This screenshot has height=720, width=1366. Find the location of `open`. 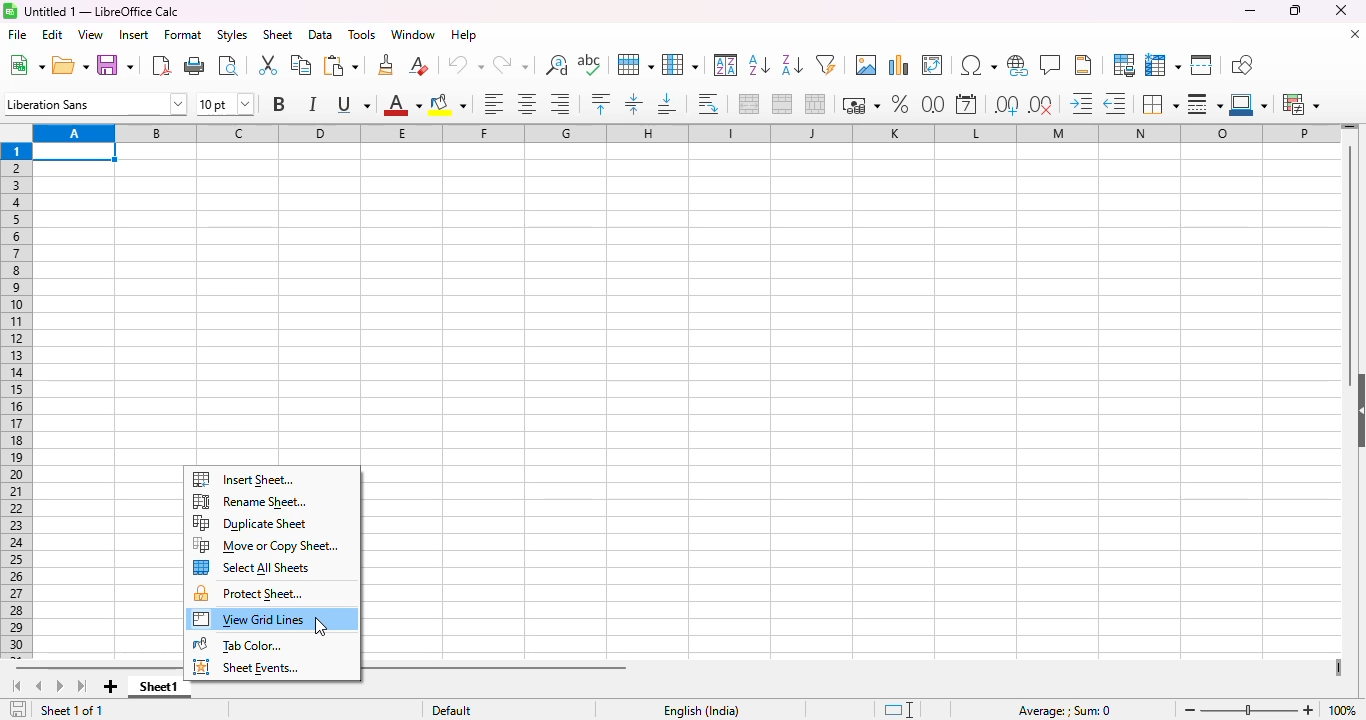

open is located at coordinates (70, 66).